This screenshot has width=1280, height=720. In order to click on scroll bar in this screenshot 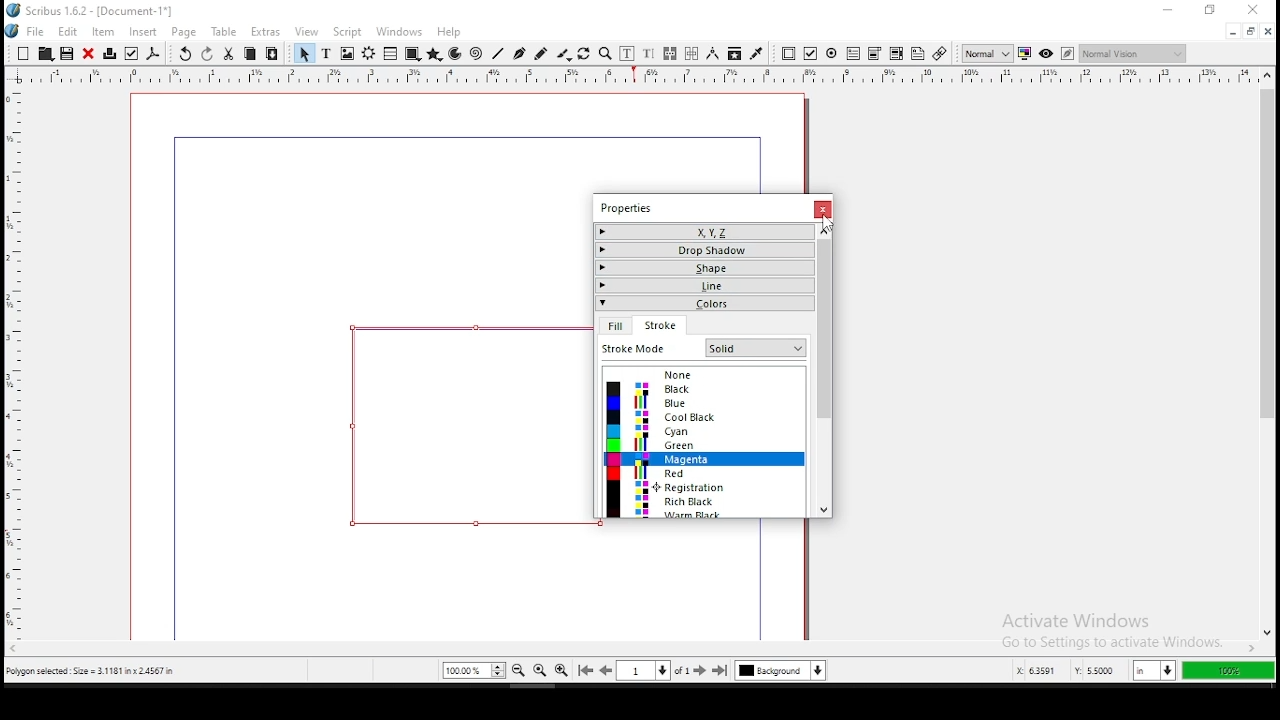, I will do `click(632, 650)`.